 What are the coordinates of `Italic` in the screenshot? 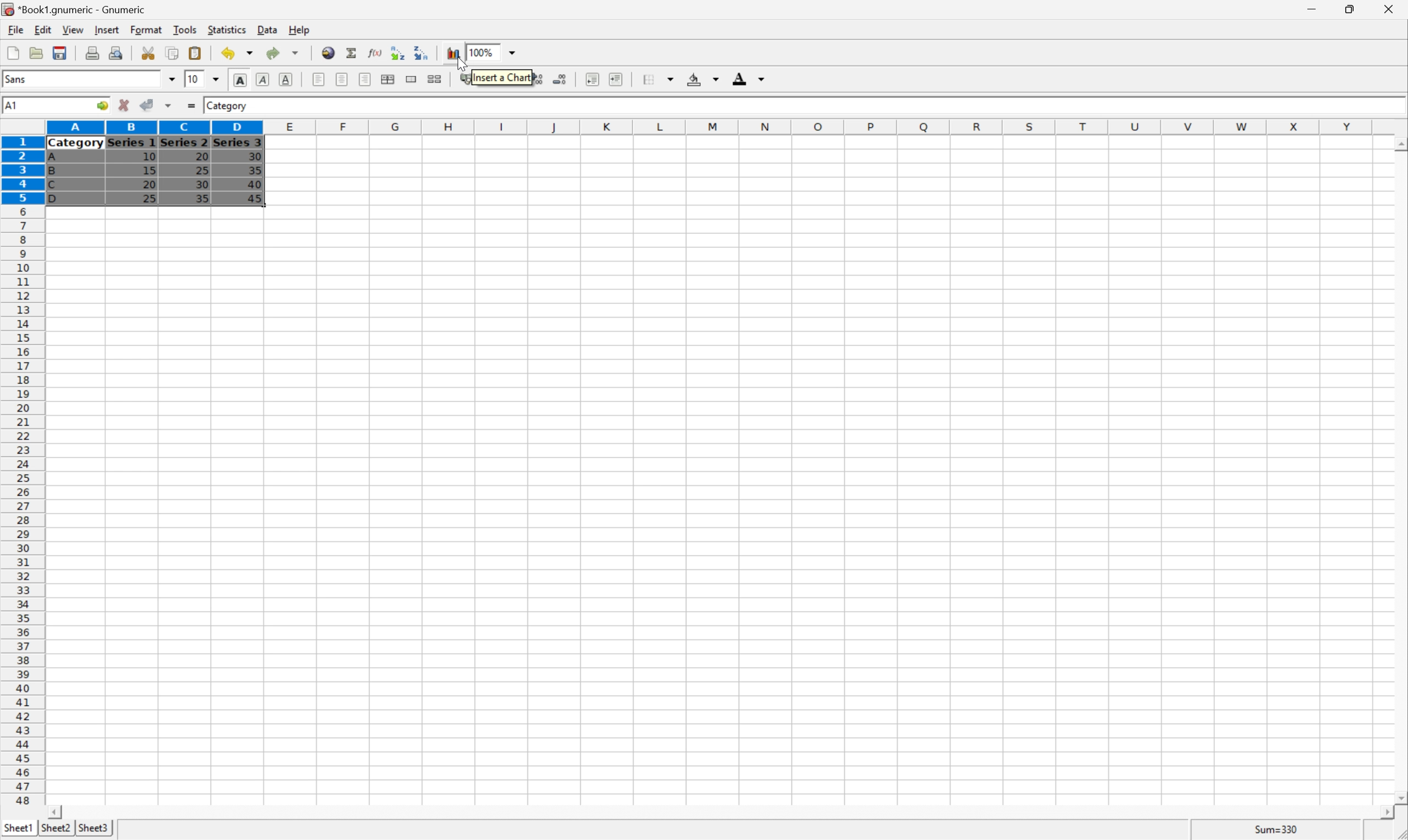 It's located at (262, 79).